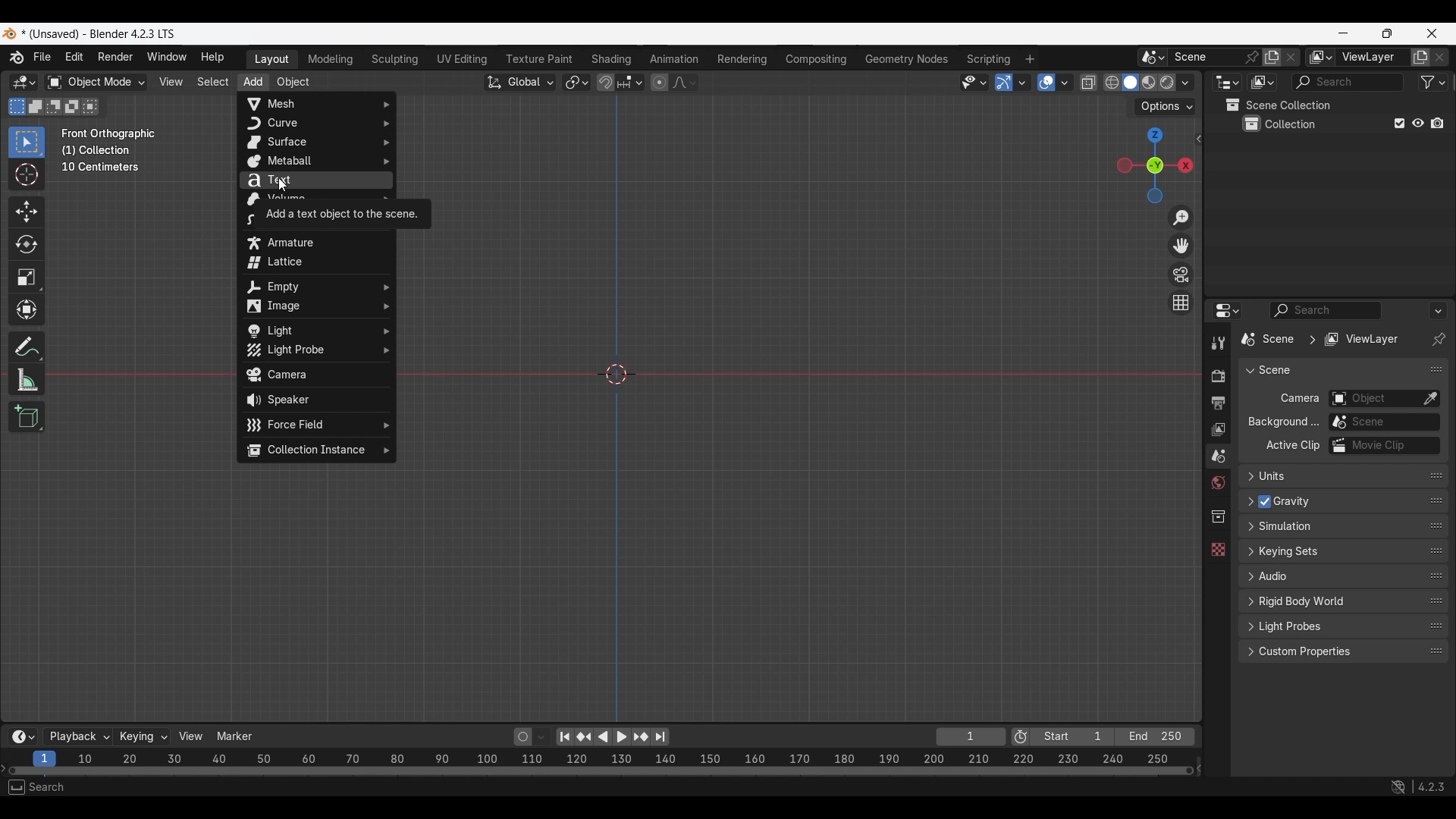 This screenshot has width=1456, height=819. What do you see at coordinates (1348, 82) in the screenshot?
I see `Display filter` at bounding box center [1348, 82].